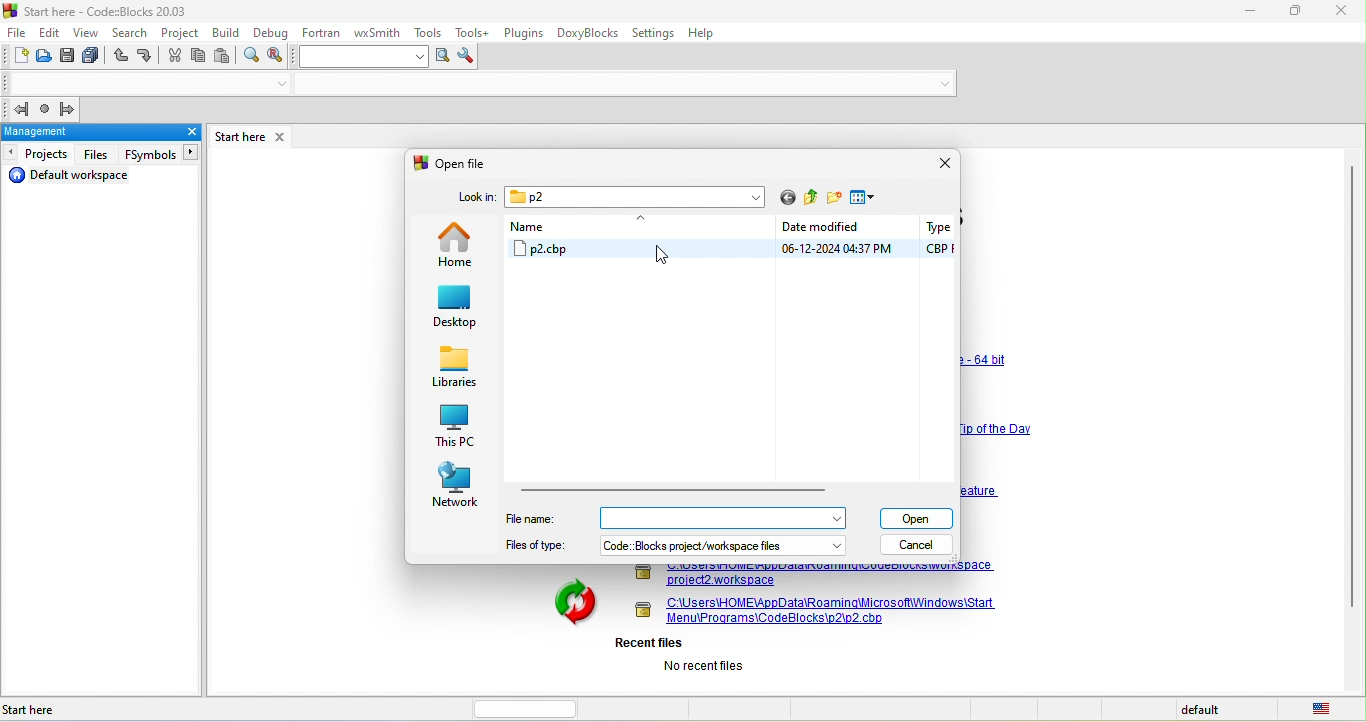 The width and height of the screenshot is (1366, 722). What do you see at coordinates (428, 32) in the screenshot?
I see `tools` at bounding box center [428, 32].